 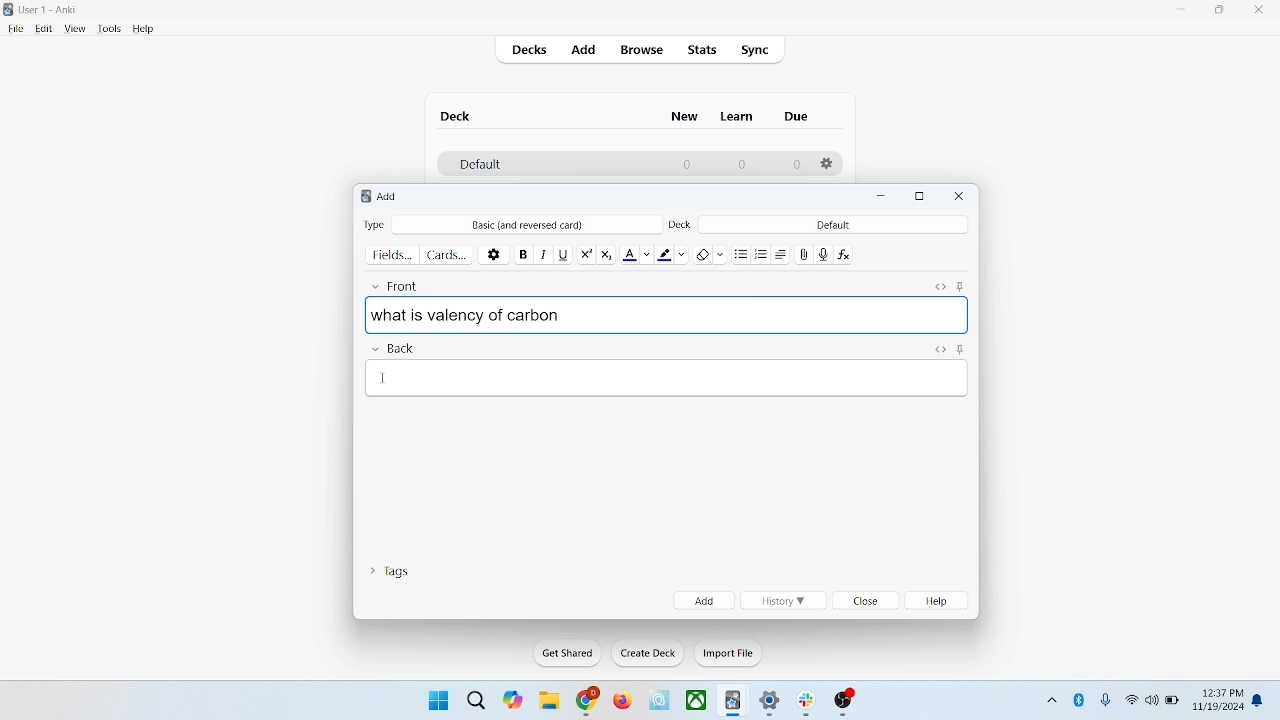 I want to click on text highlight color, so click(x=676, y=253).